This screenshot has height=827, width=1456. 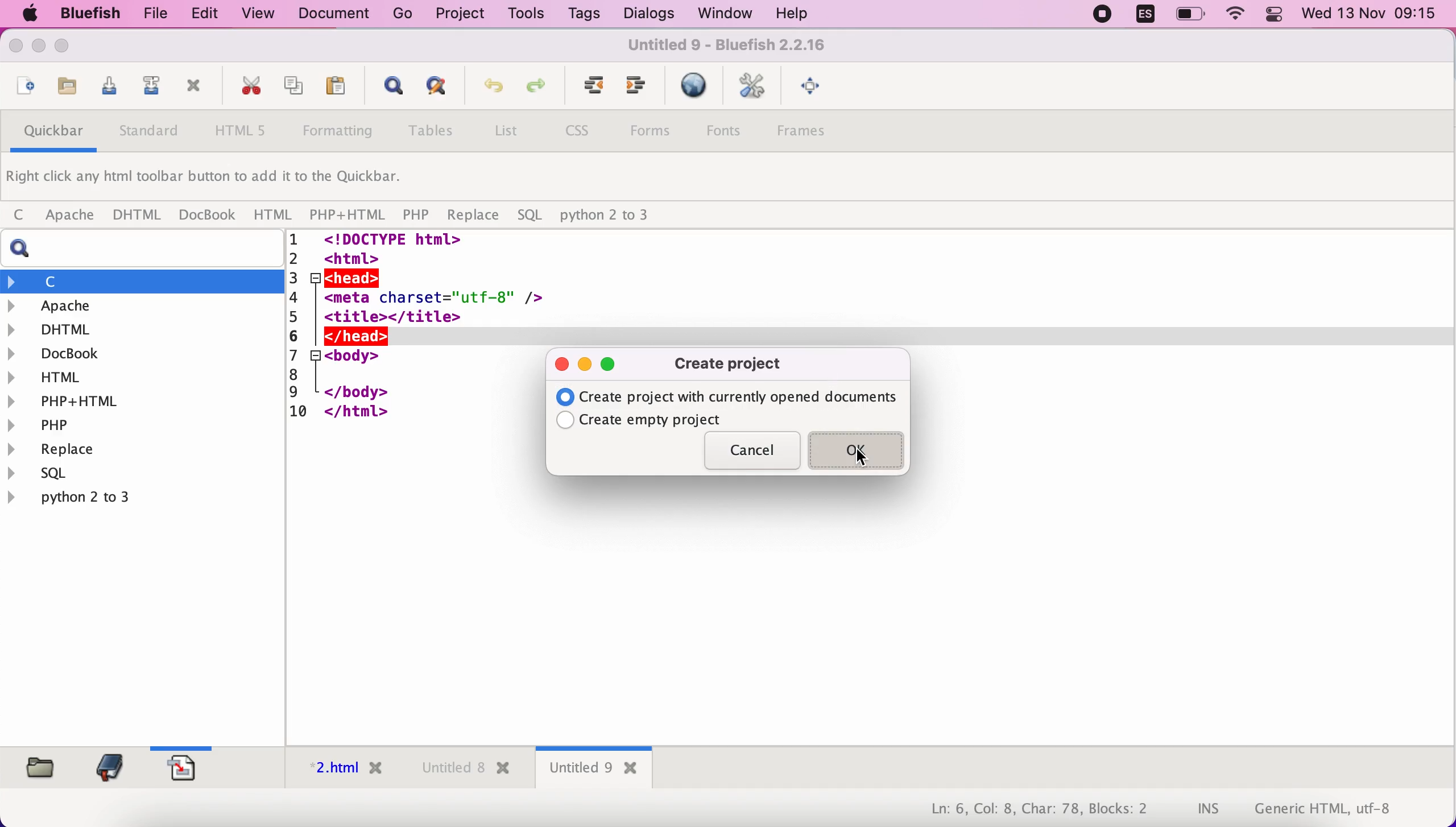 What do you see at coordinates (23, 88) in the screenshot?
I see `open file` at bounding box center [23, 88].